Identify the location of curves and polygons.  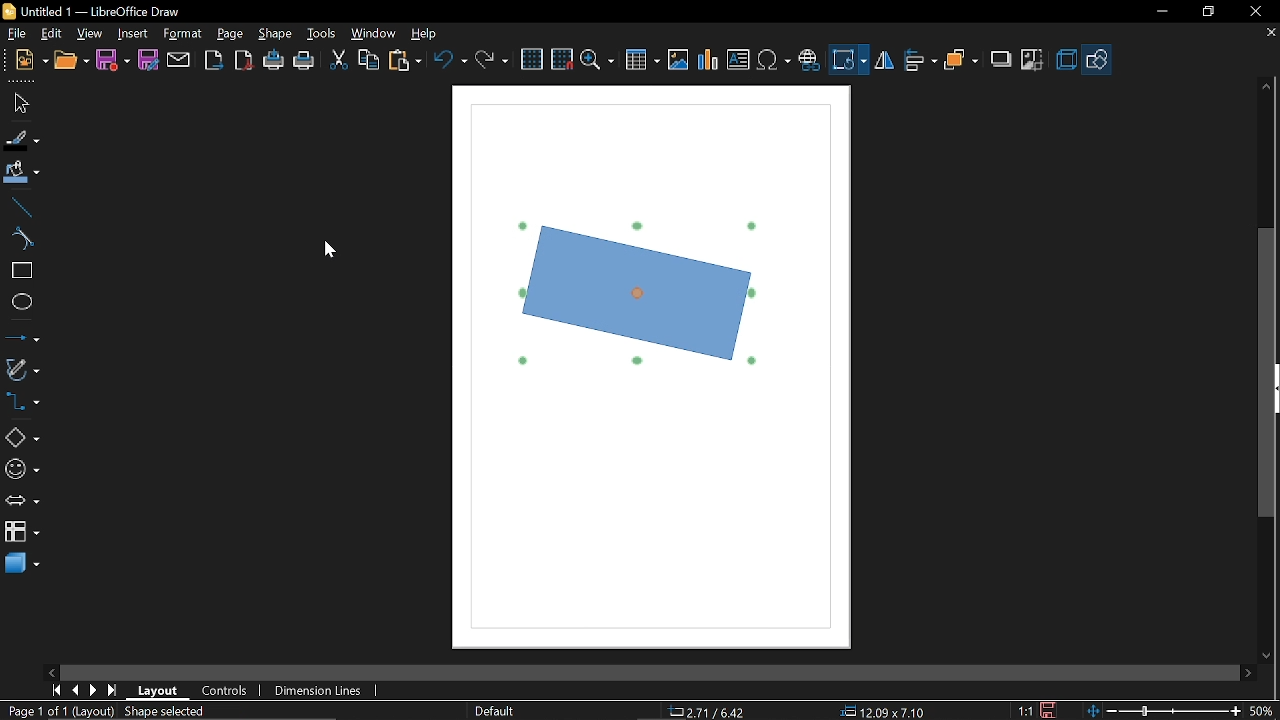
(22, 370).